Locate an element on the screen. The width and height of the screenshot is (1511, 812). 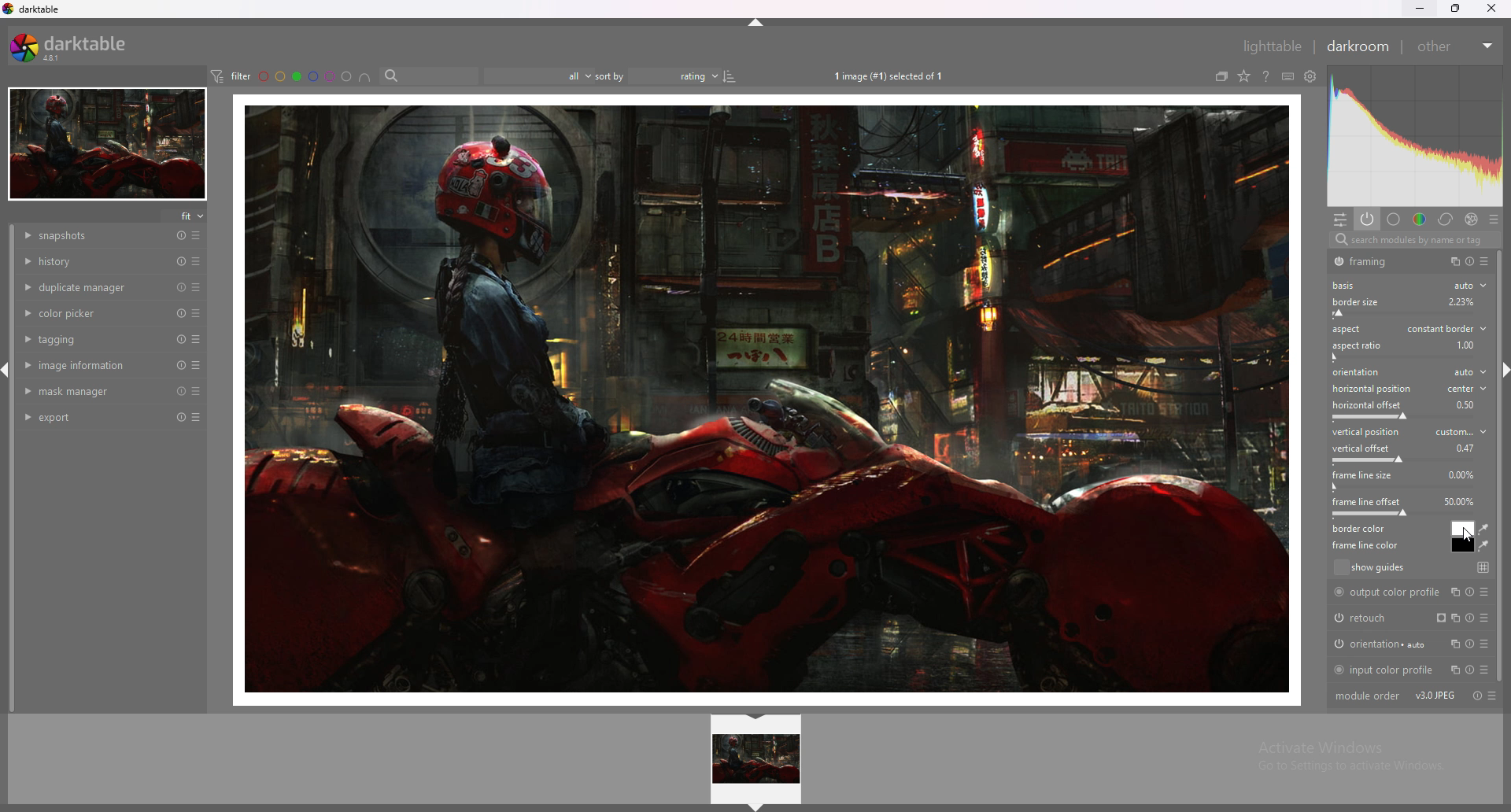
see global preferences is located at coordinates (1310, 76).